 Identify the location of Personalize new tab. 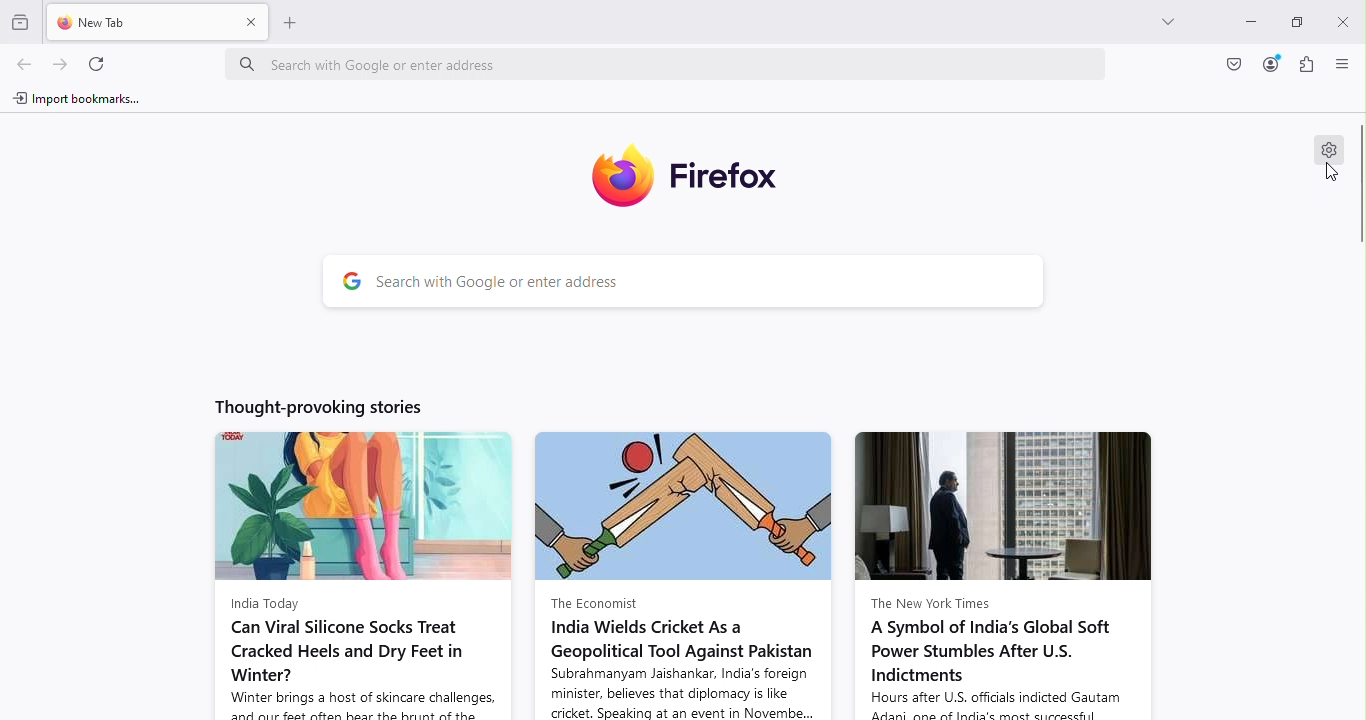
(1326, 151).